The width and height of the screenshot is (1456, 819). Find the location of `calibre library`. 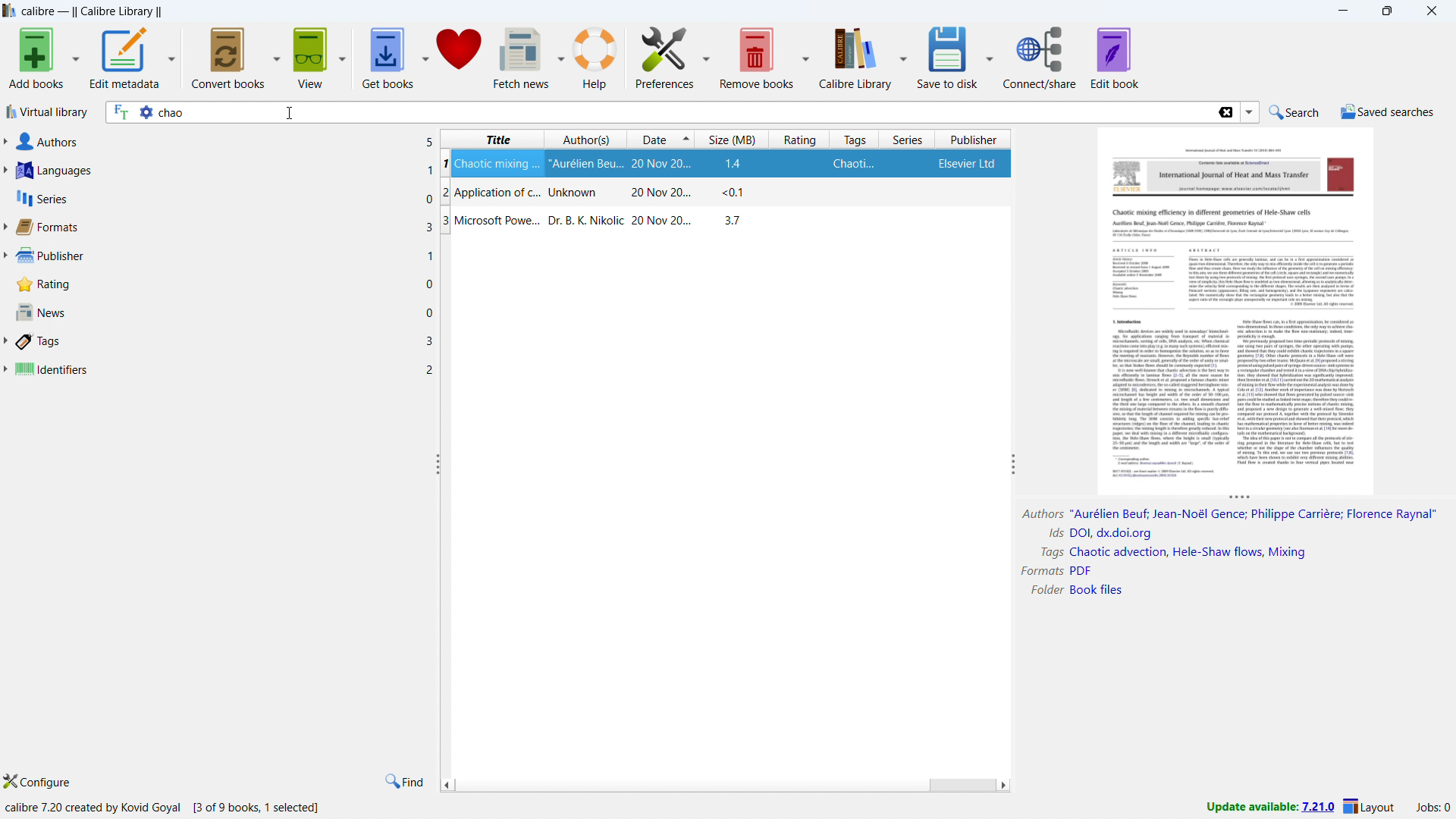

calibre library is located at coordinates (855, 57).